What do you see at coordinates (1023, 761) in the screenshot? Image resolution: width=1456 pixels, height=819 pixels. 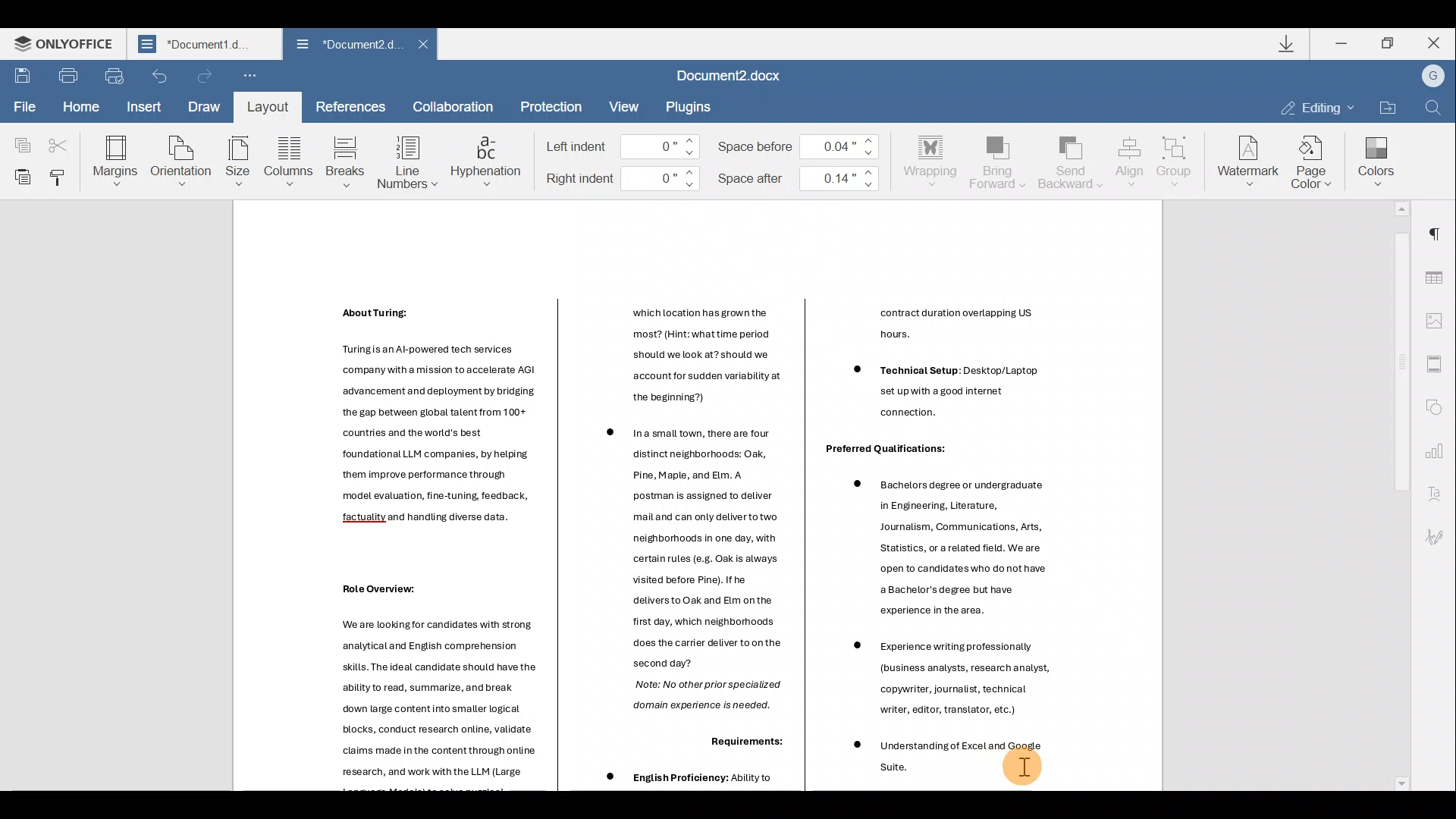 I see `Cursor` at bounding box center [1023, 761].